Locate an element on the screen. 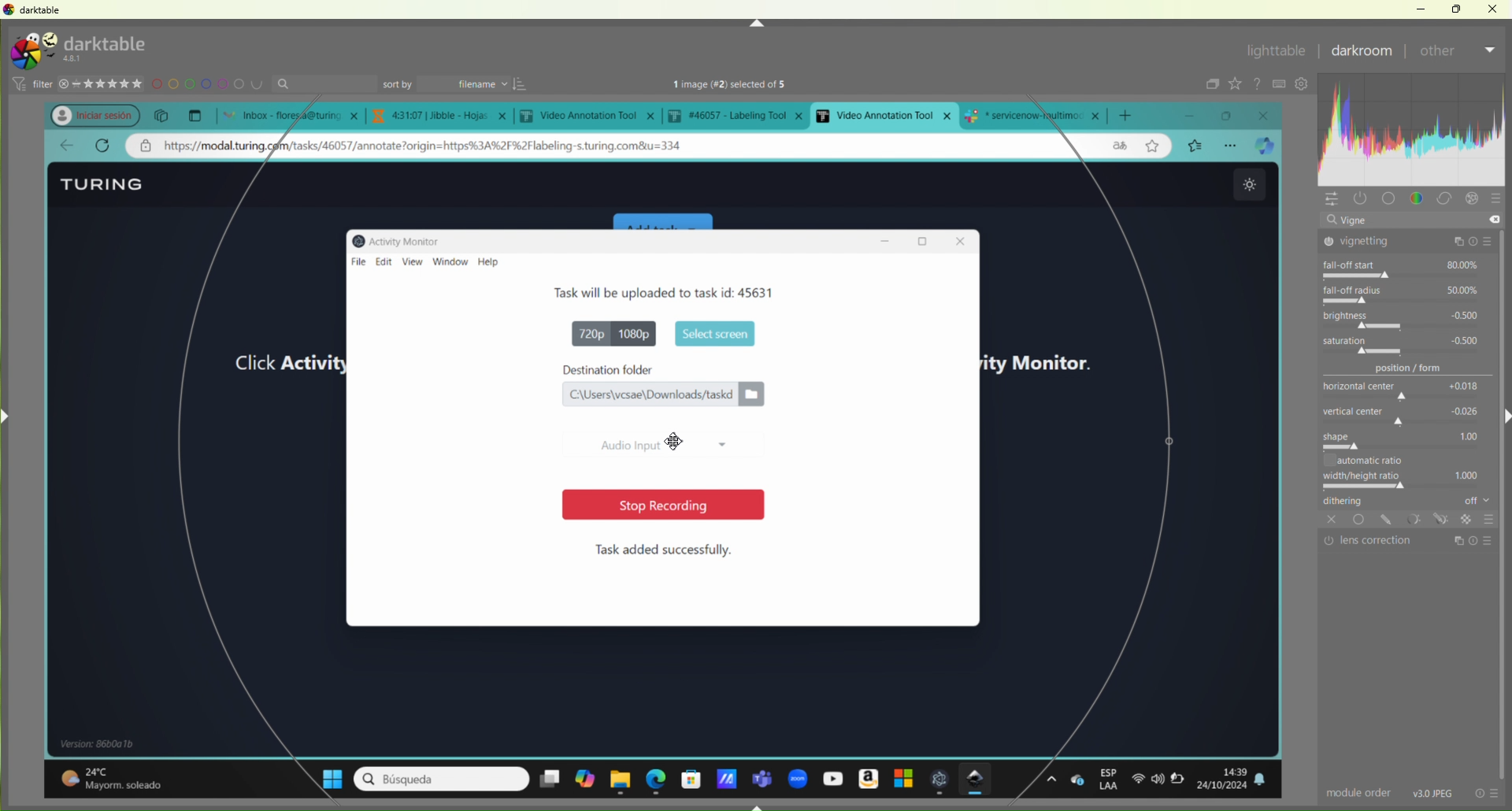 The image size is (1512, 811). activity monitor is located at coordinates (1046, 359).